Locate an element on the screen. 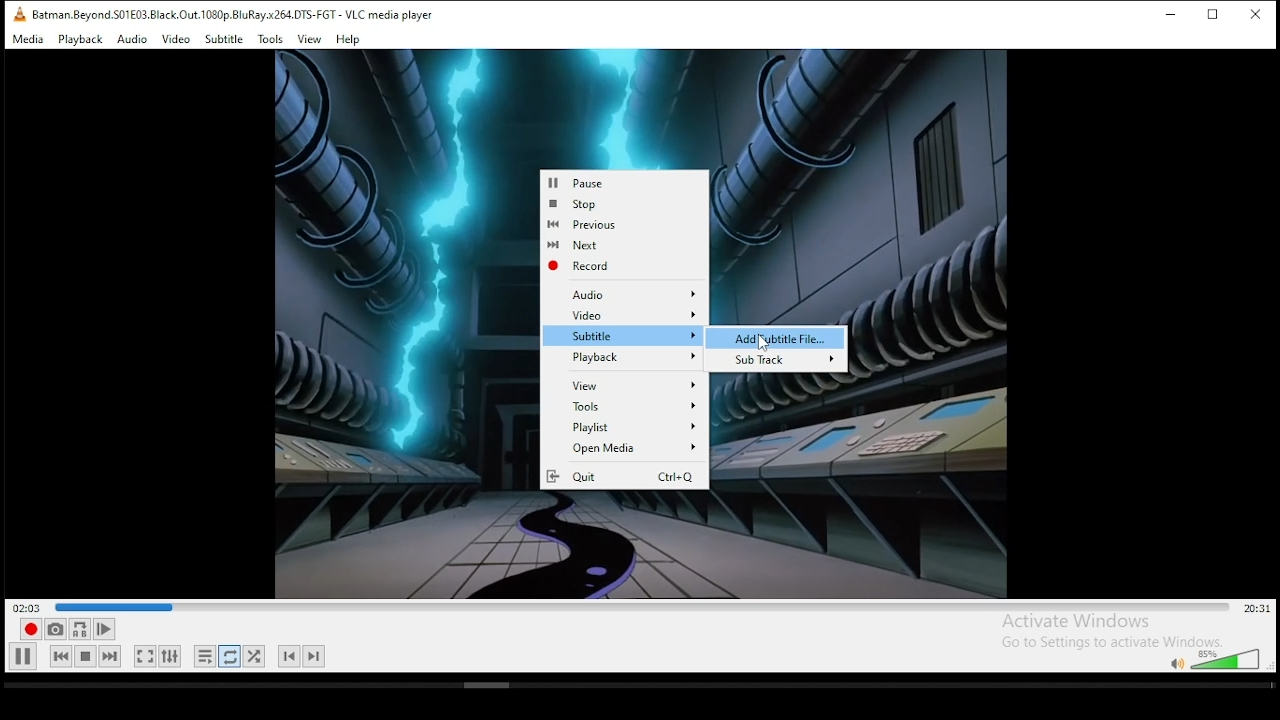 The height and width of the screenshot is (720, 1280). Quit is located at coordinates (577, 478).